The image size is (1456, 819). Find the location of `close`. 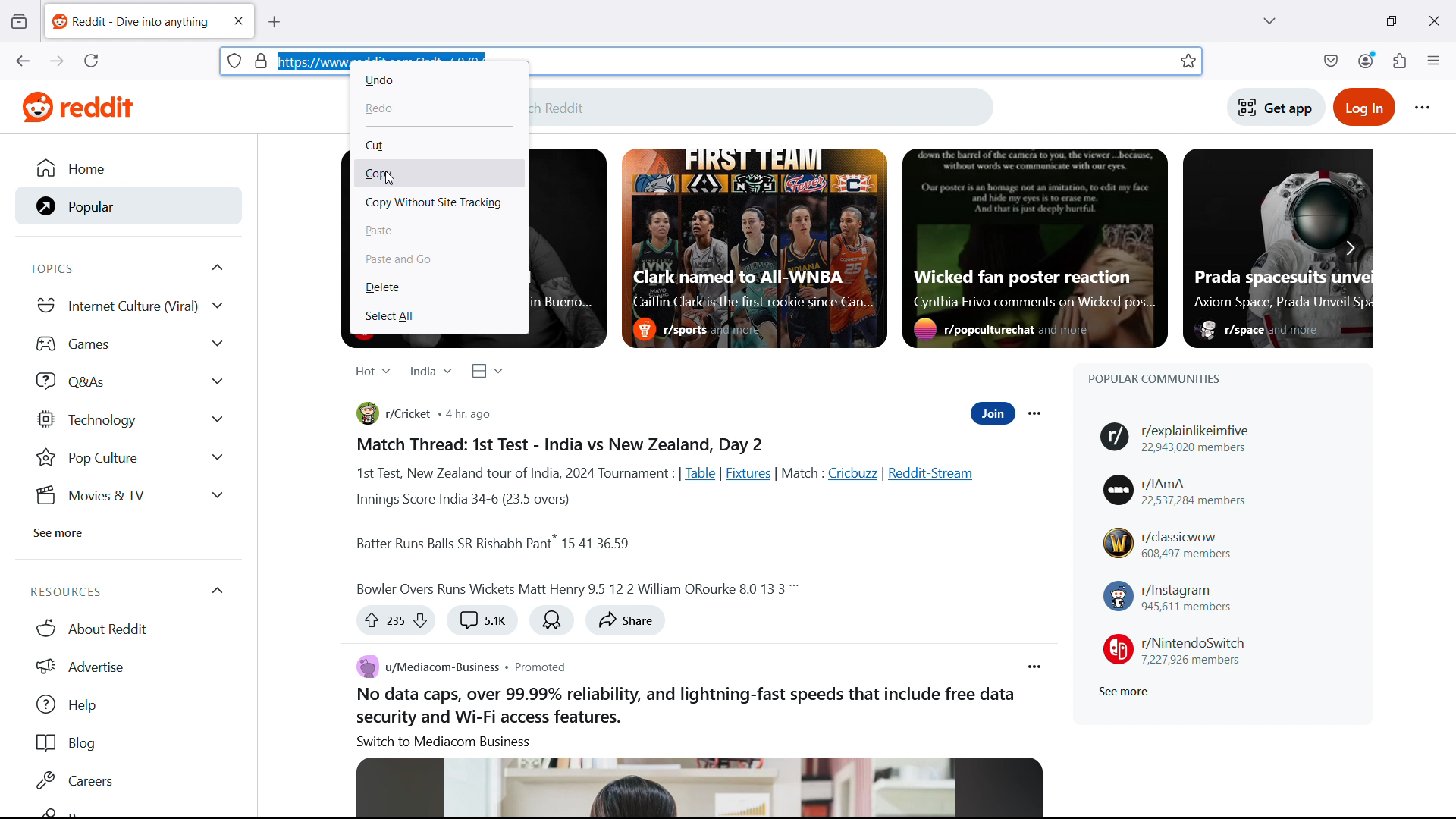

close is located at coordinates (1432, 19).